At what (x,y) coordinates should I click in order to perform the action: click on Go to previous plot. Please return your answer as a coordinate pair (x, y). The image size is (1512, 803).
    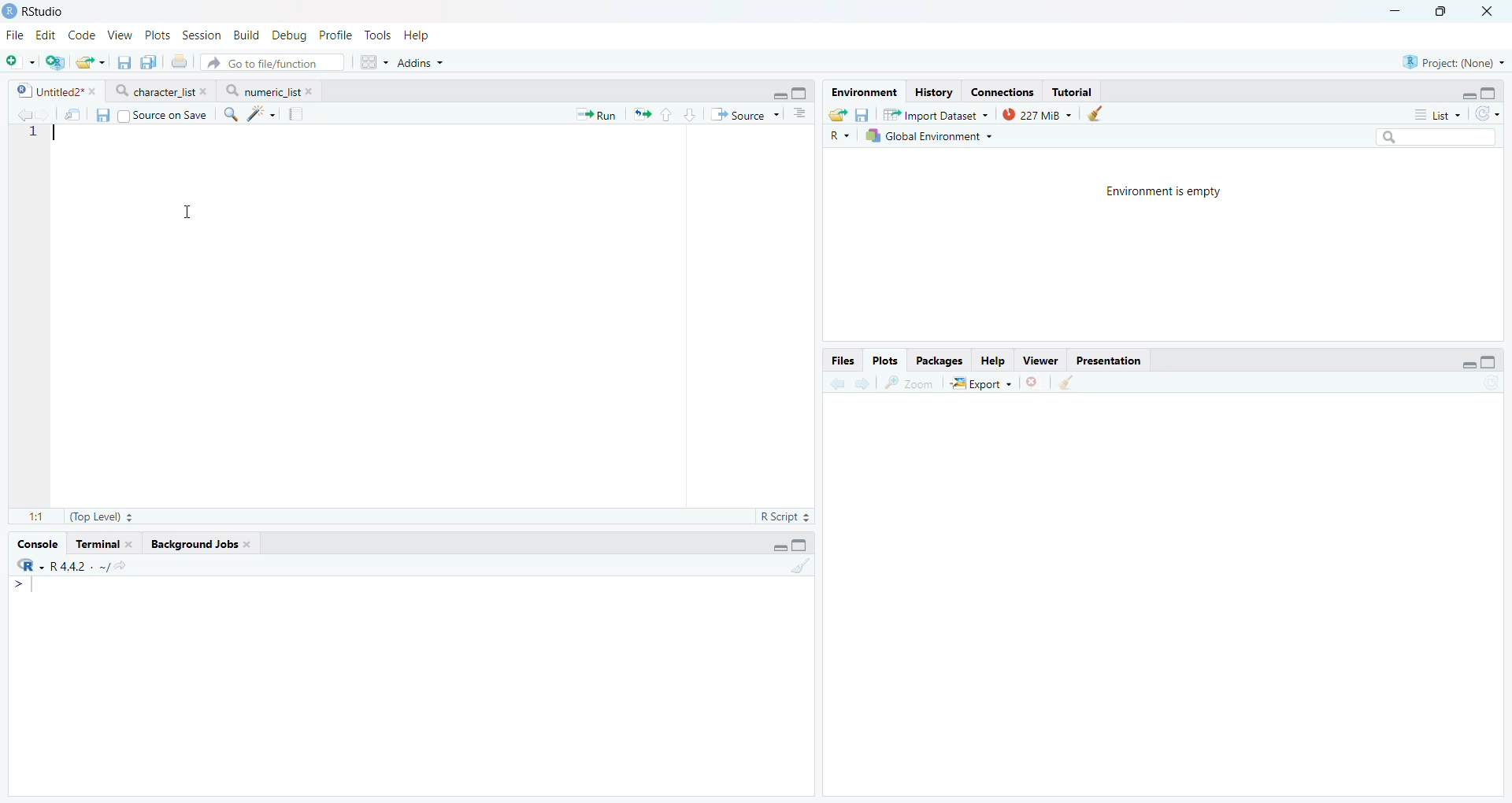
    Looking at the image, I should click on (836, 382).